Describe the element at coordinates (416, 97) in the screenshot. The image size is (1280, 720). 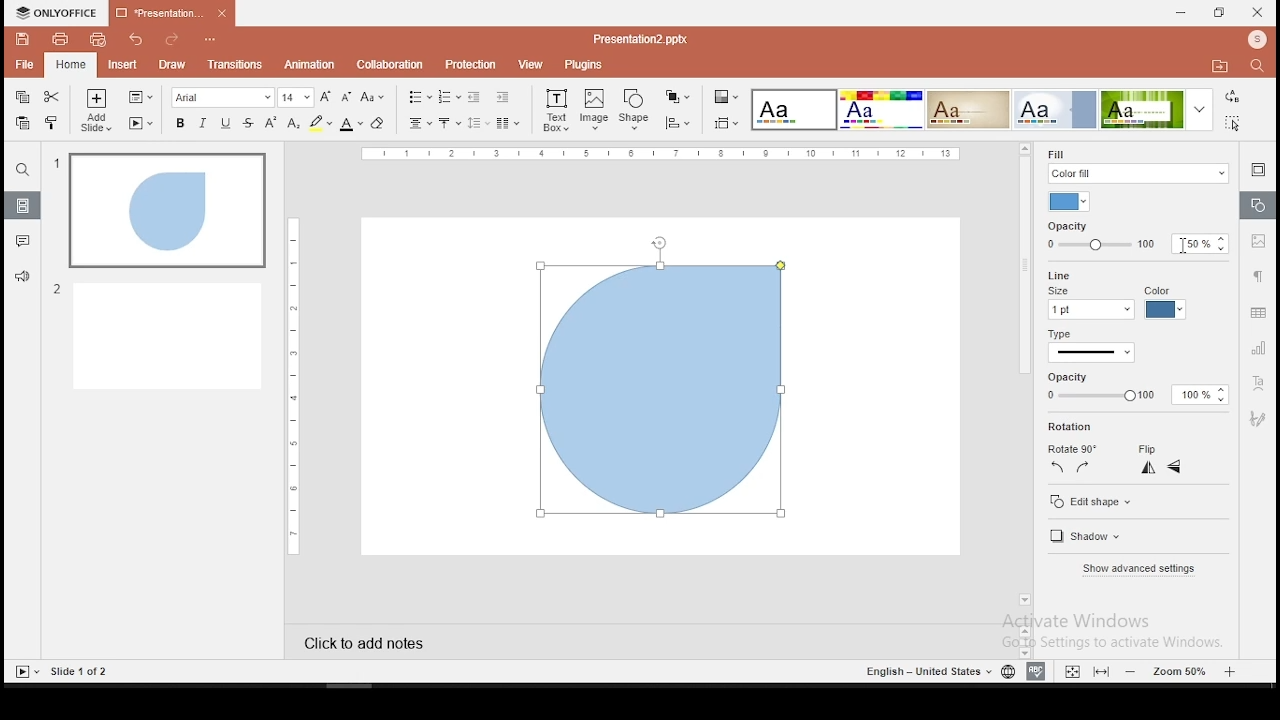
I see `bullets` at that location.